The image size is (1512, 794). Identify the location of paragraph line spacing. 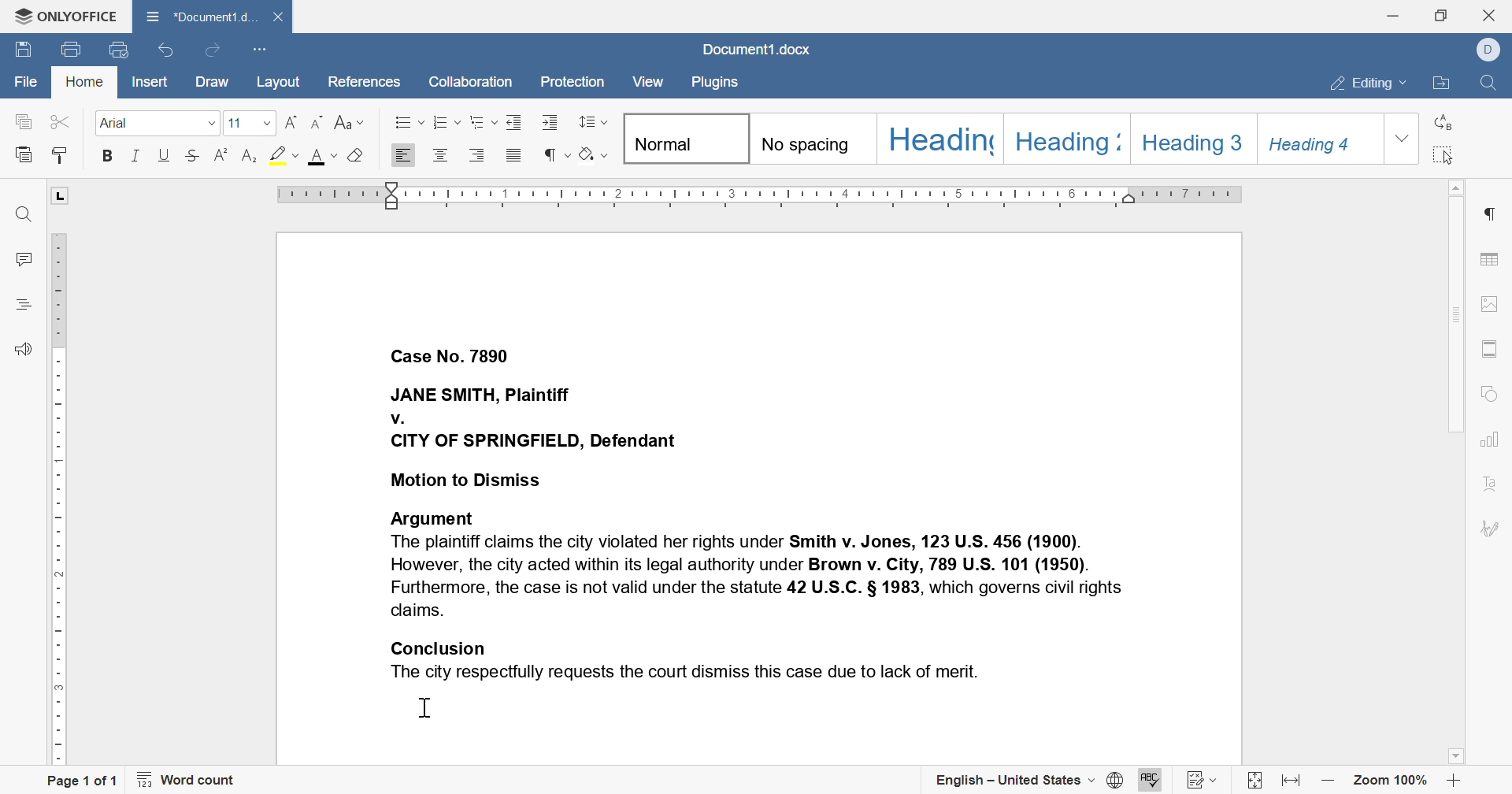
(592, 121).